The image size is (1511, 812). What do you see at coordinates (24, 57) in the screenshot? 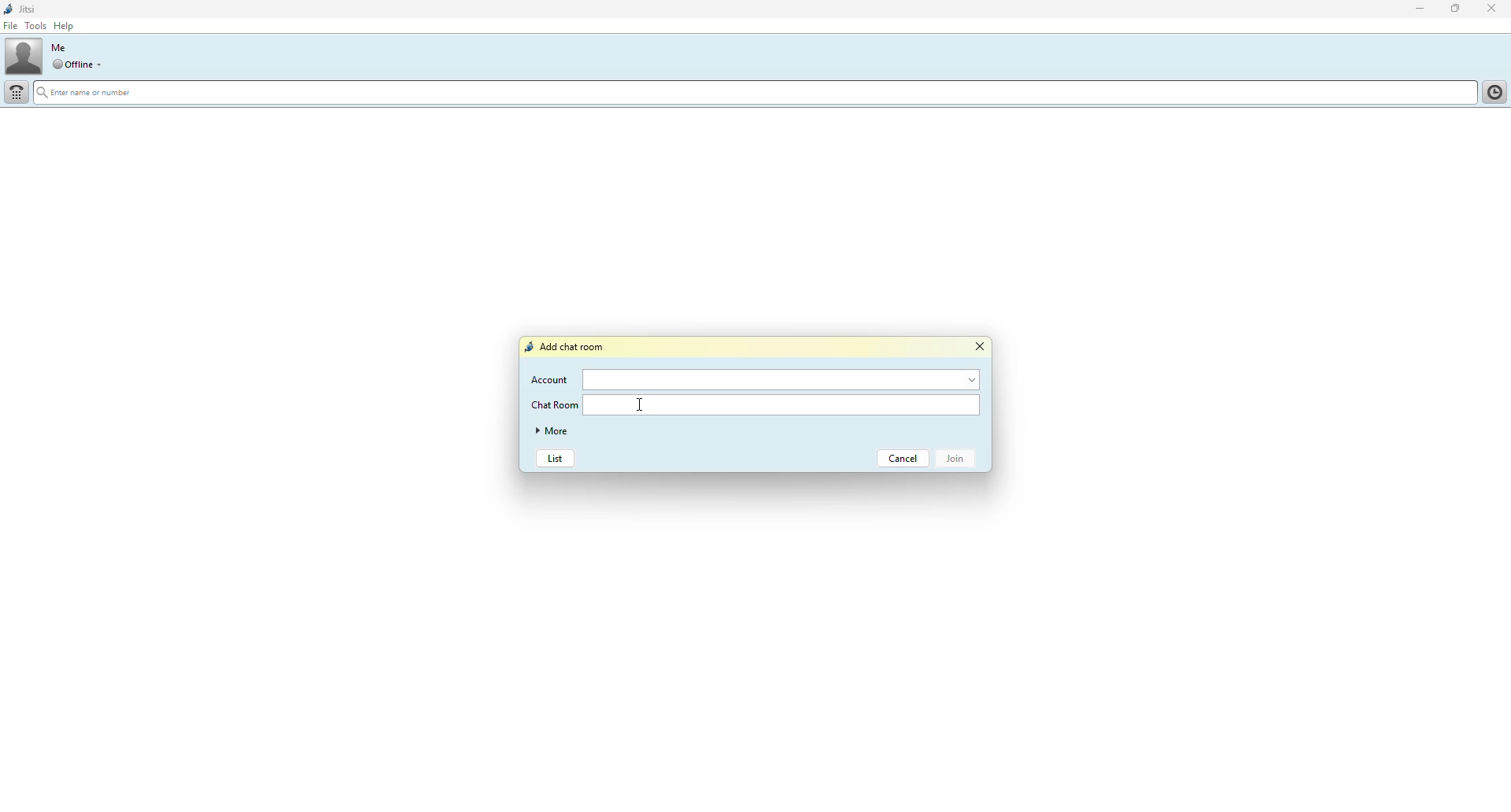
I see `profile` at bounding box center [24, 57].